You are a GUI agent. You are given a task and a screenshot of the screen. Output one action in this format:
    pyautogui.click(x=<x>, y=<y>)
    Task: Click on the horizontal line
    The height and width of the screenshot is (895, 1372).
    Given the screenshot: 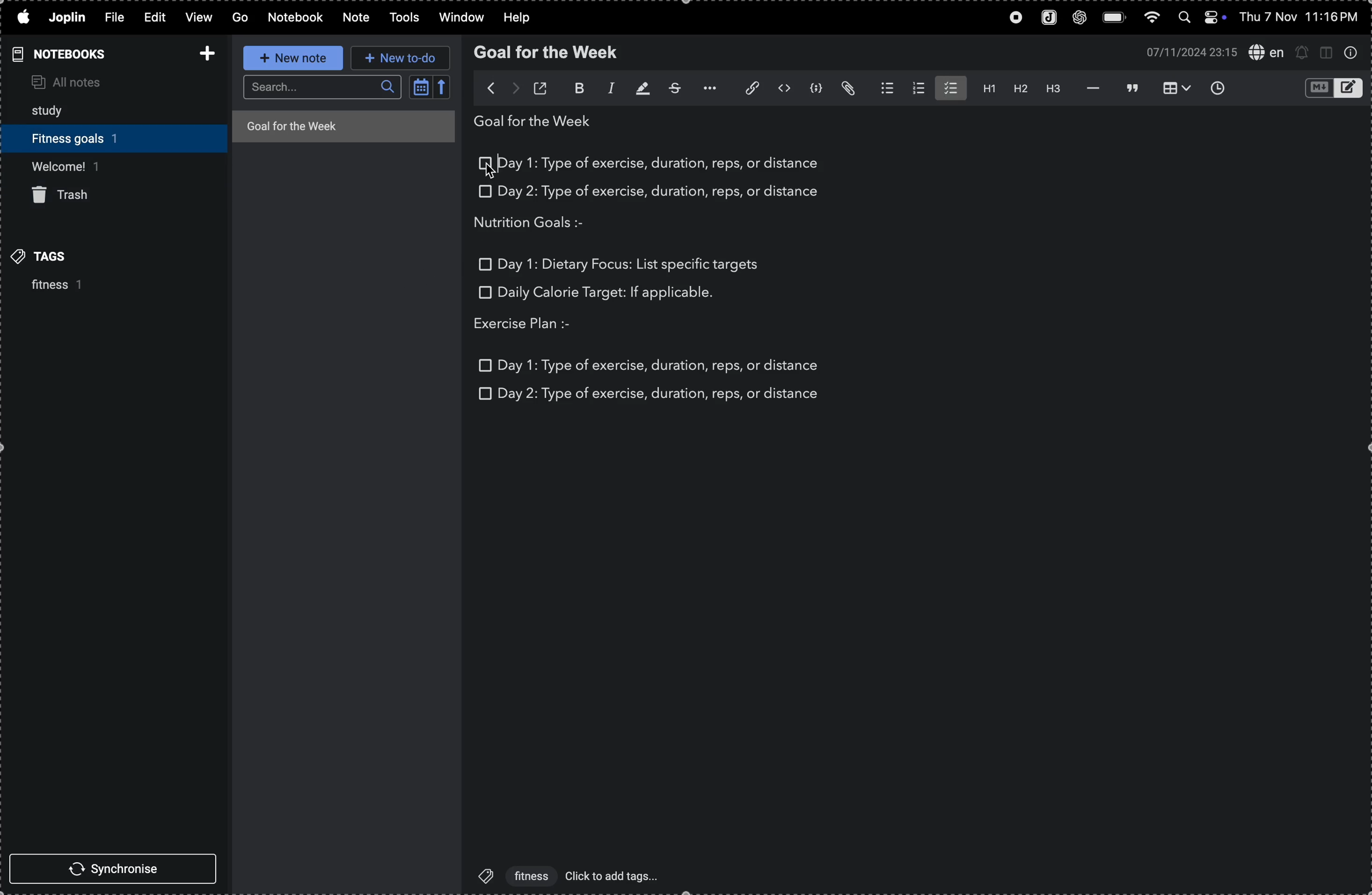 What is the action you would take?
    pyautogui.click(x=1088, y=88)
    